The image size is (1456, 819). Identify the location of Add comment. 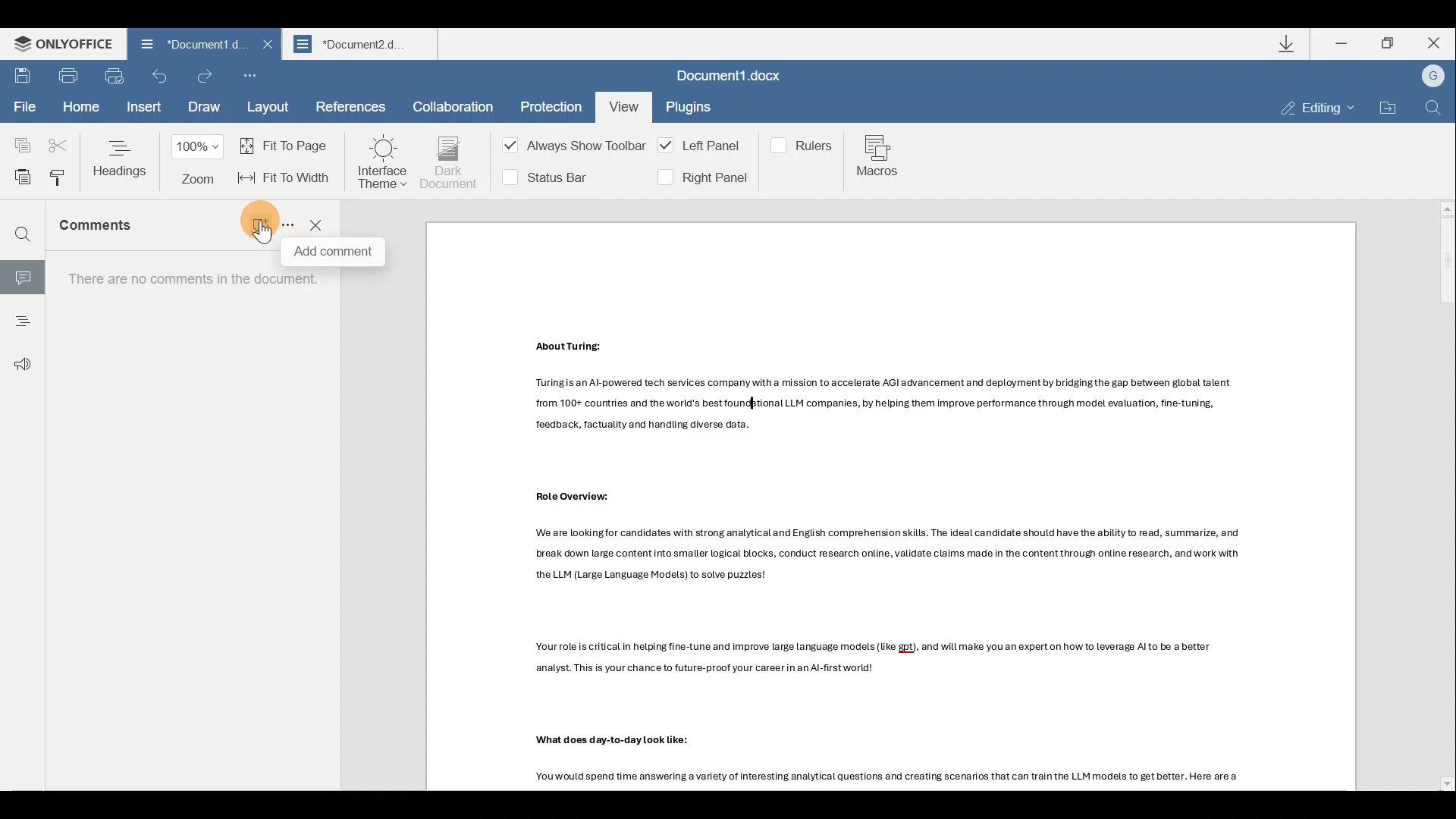
(250, 221).